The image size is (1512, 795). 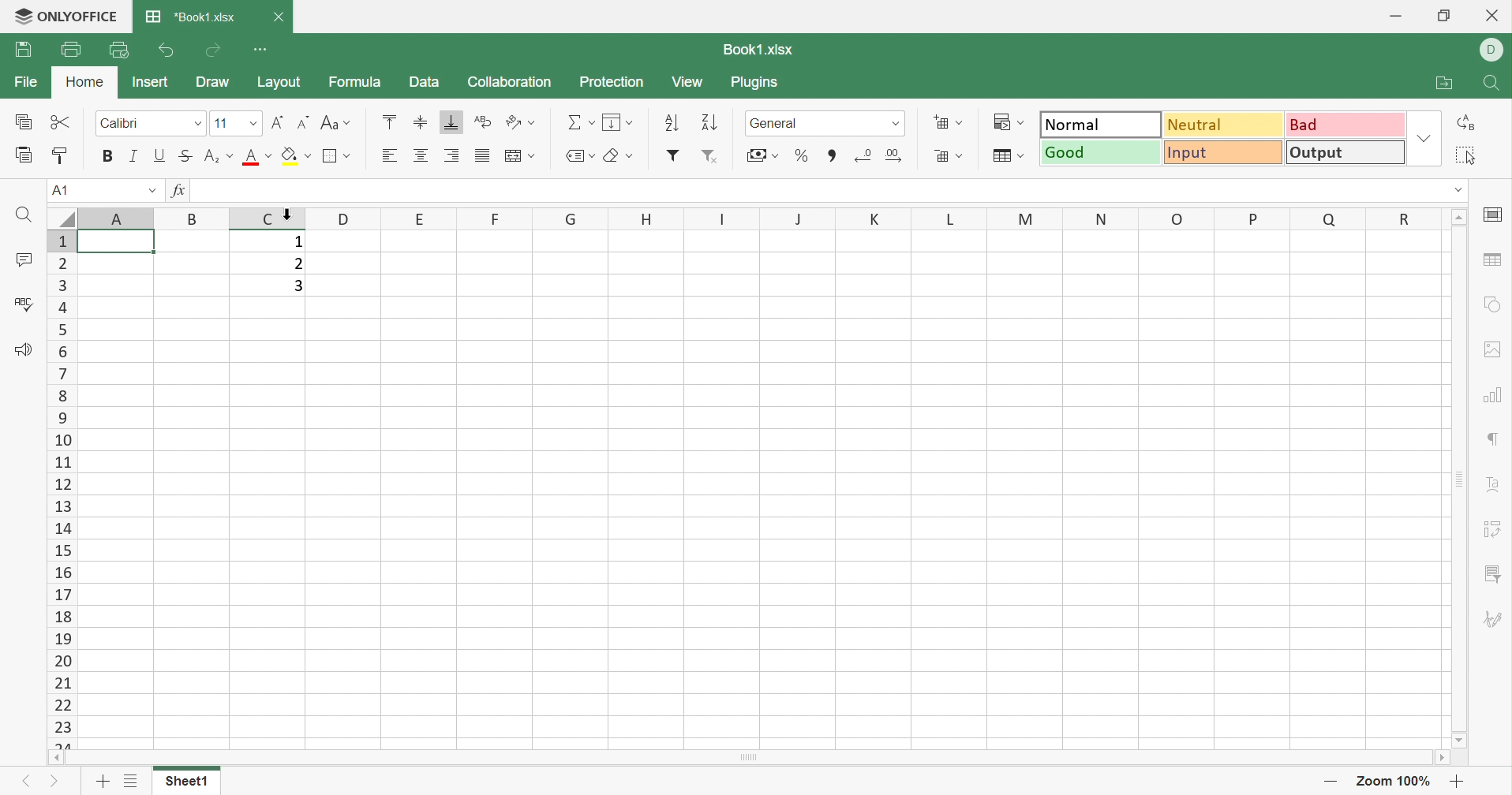 What do you see at coordinates (1445, 81) in the screenshot?
I see `Open file location` at bounding box center [1445, 81].